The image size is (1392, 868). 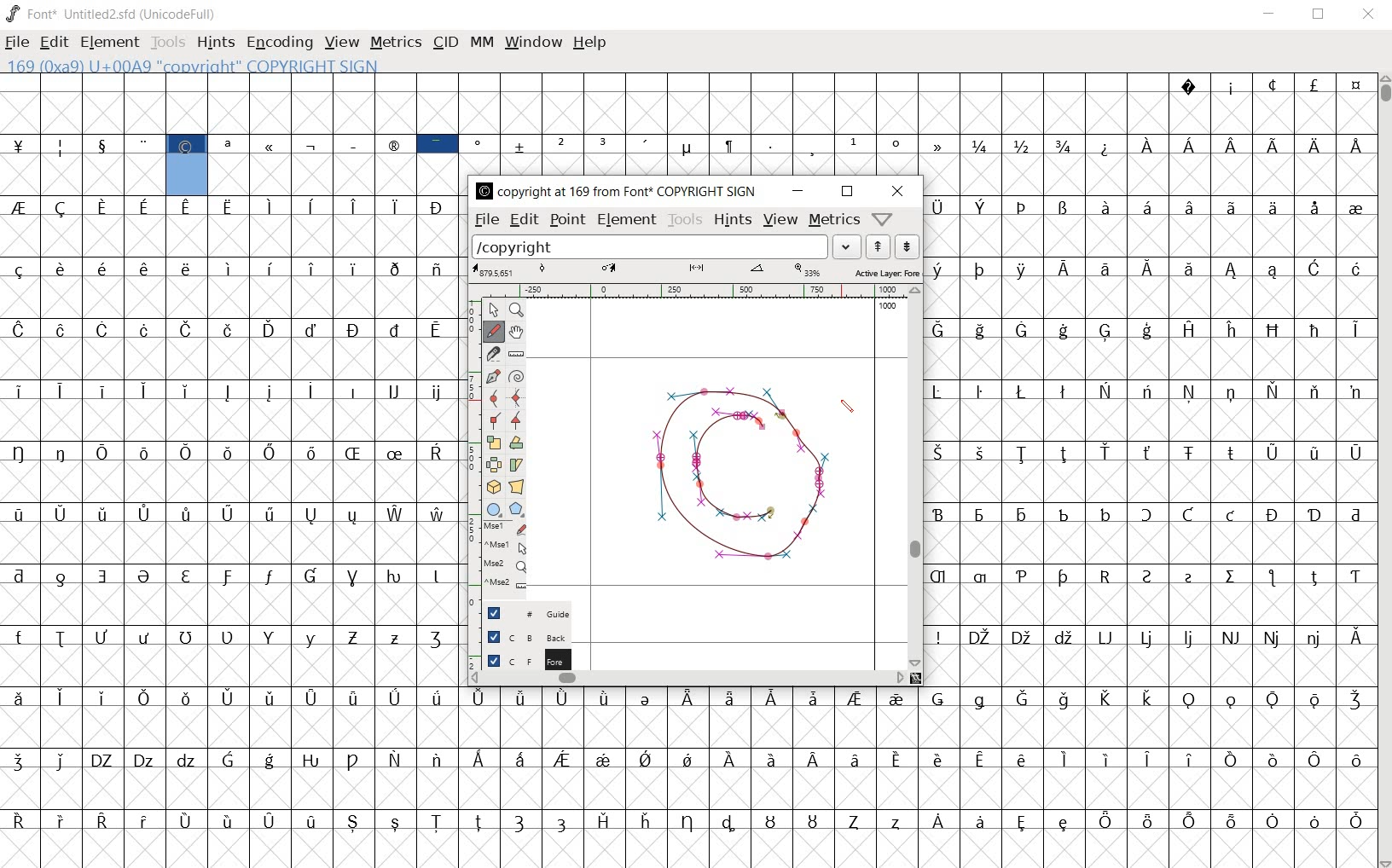 What do you see at coordinates (233, 529) in the screenshot?
I see `glyphs` at bounding box center [233, 529].